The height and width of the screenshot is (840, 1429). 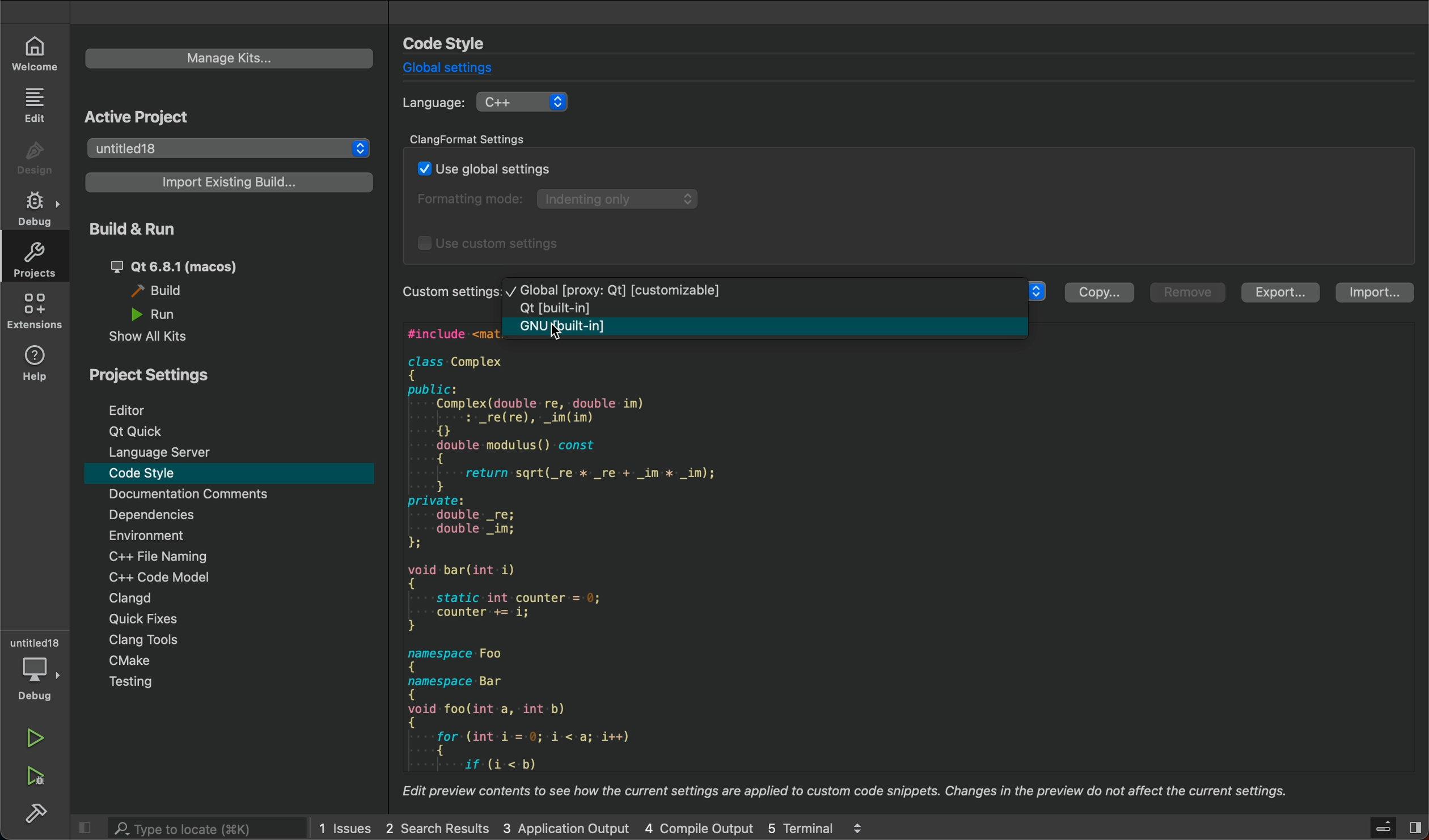 I want to click on build , so click(x=147, y=228).